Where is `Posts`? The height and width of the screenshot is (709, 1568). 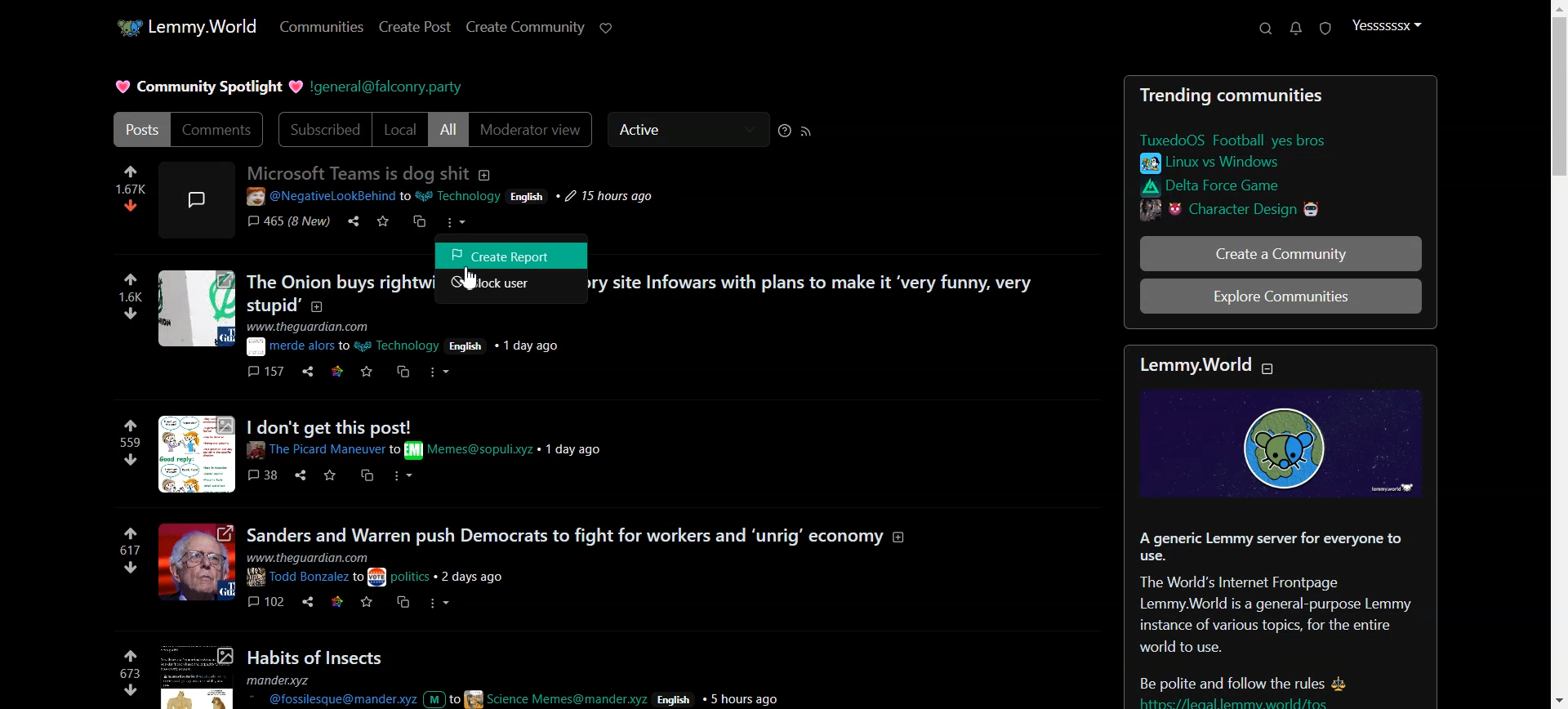
Posts is located at coordinates (514, 676).